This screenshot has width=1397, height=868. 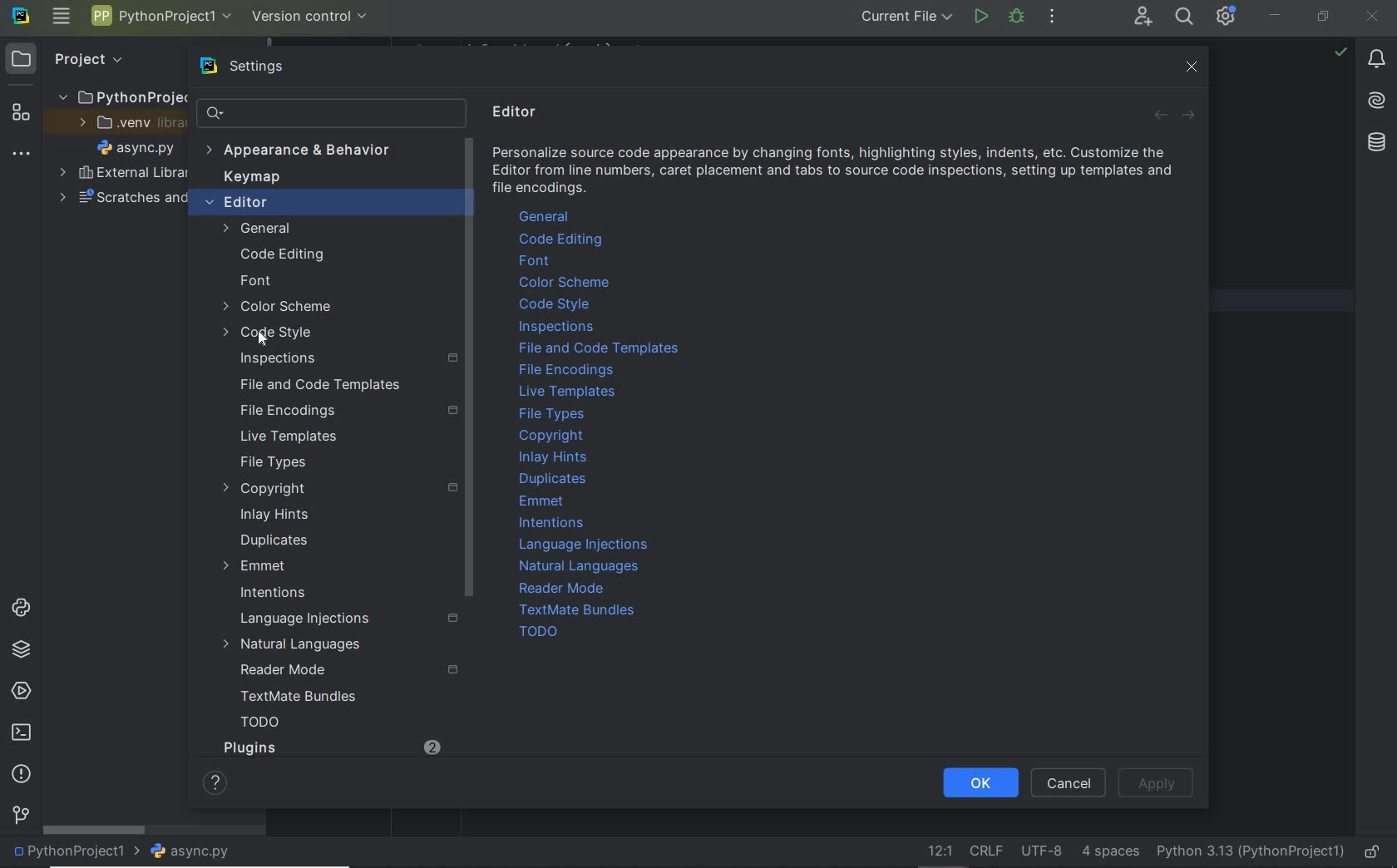 I want to click on Natural Languages, so click(x=581, y=567).